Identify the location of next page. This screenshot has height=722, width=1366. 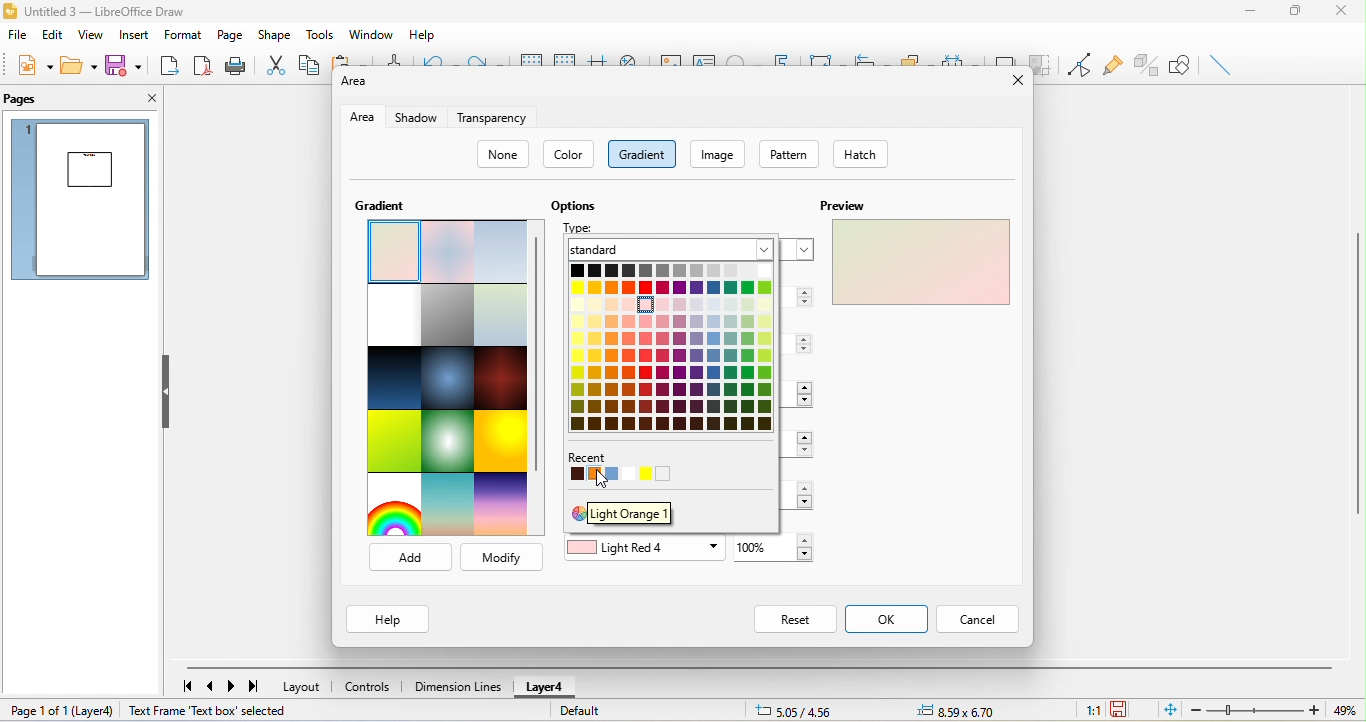
(234, 688).